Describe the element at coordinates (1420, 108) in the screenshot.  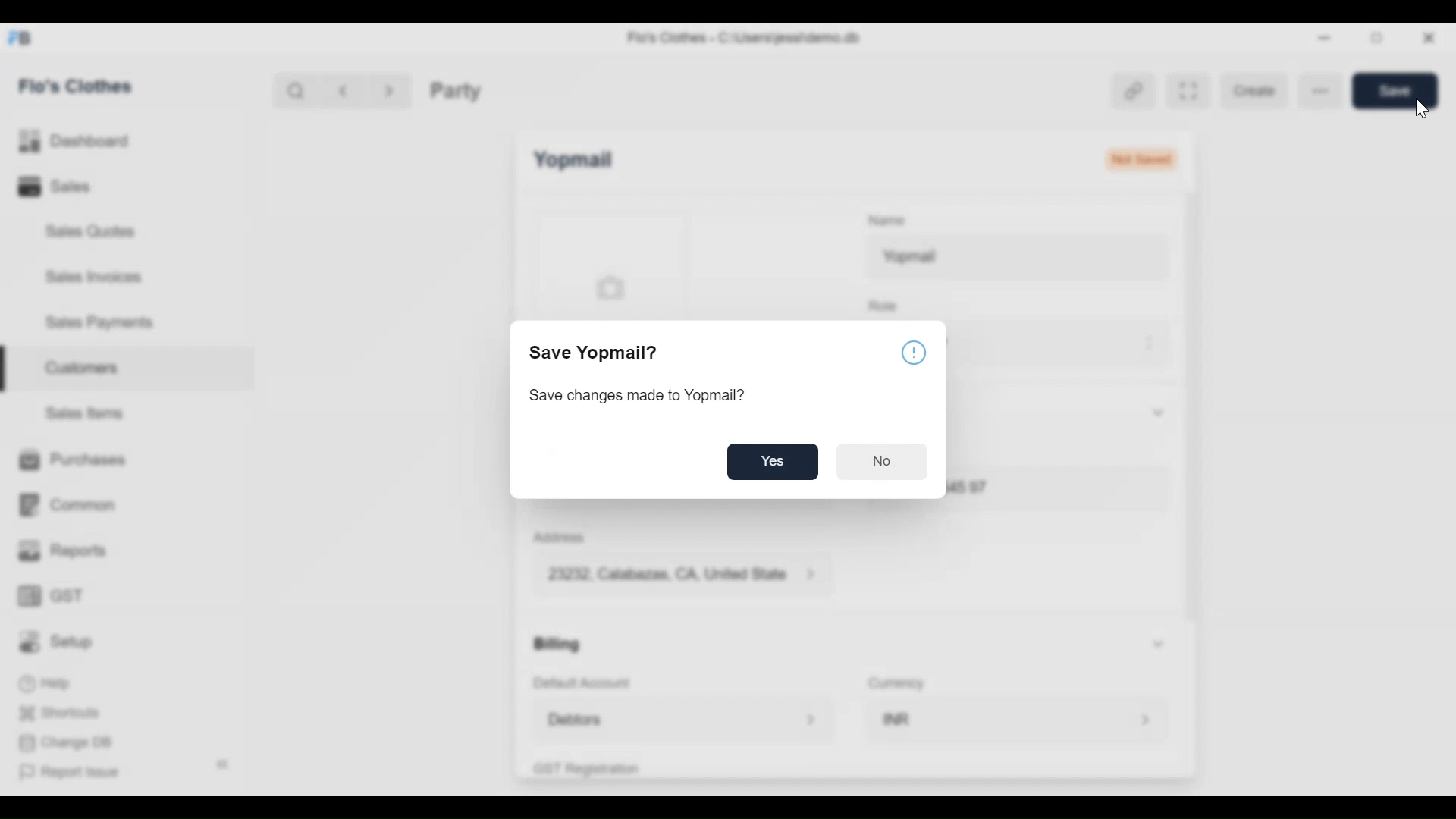
I see `Cursor` at that location.